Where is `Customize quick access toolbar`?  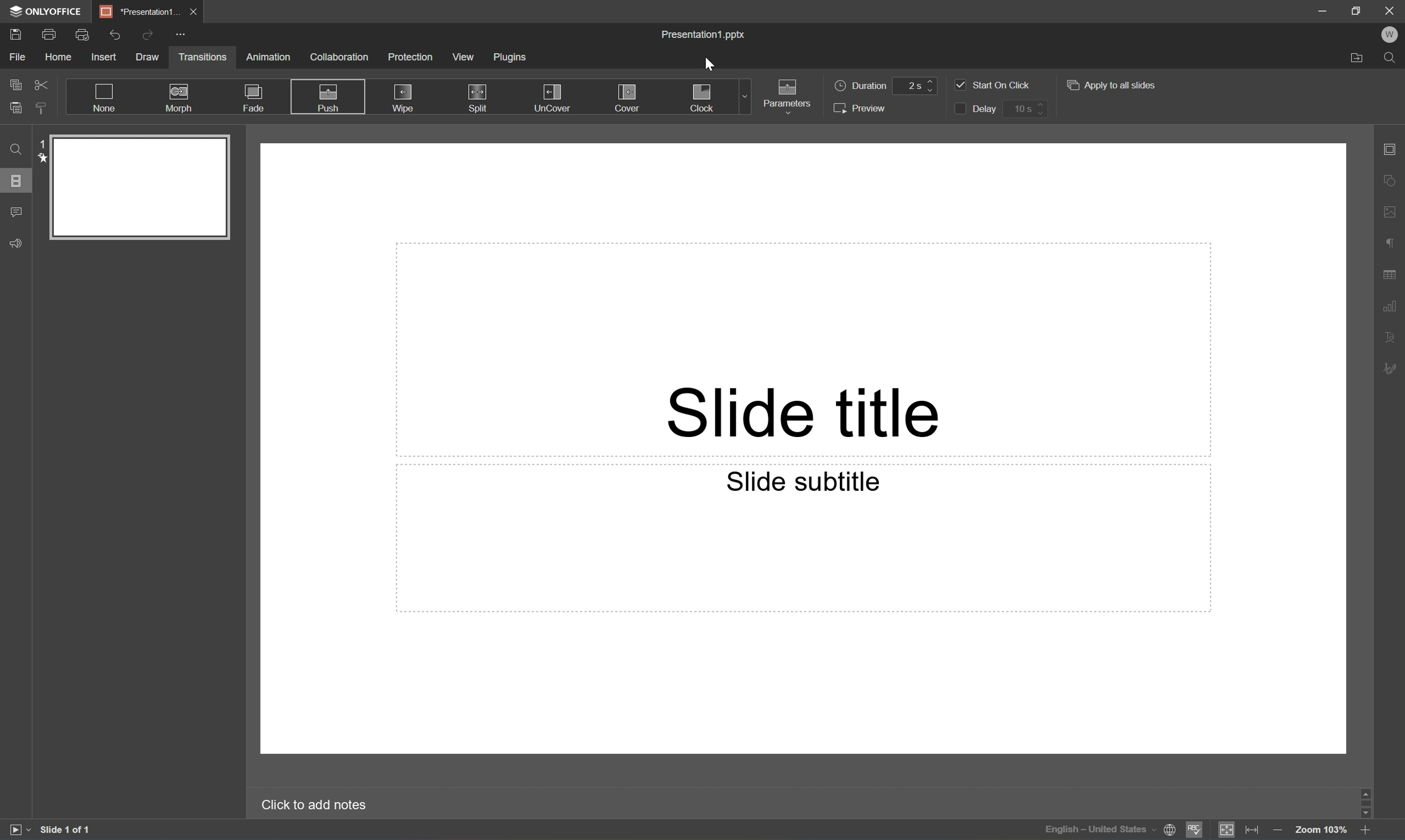
Customize quick access toolbar is located at coordinates (183, 36).